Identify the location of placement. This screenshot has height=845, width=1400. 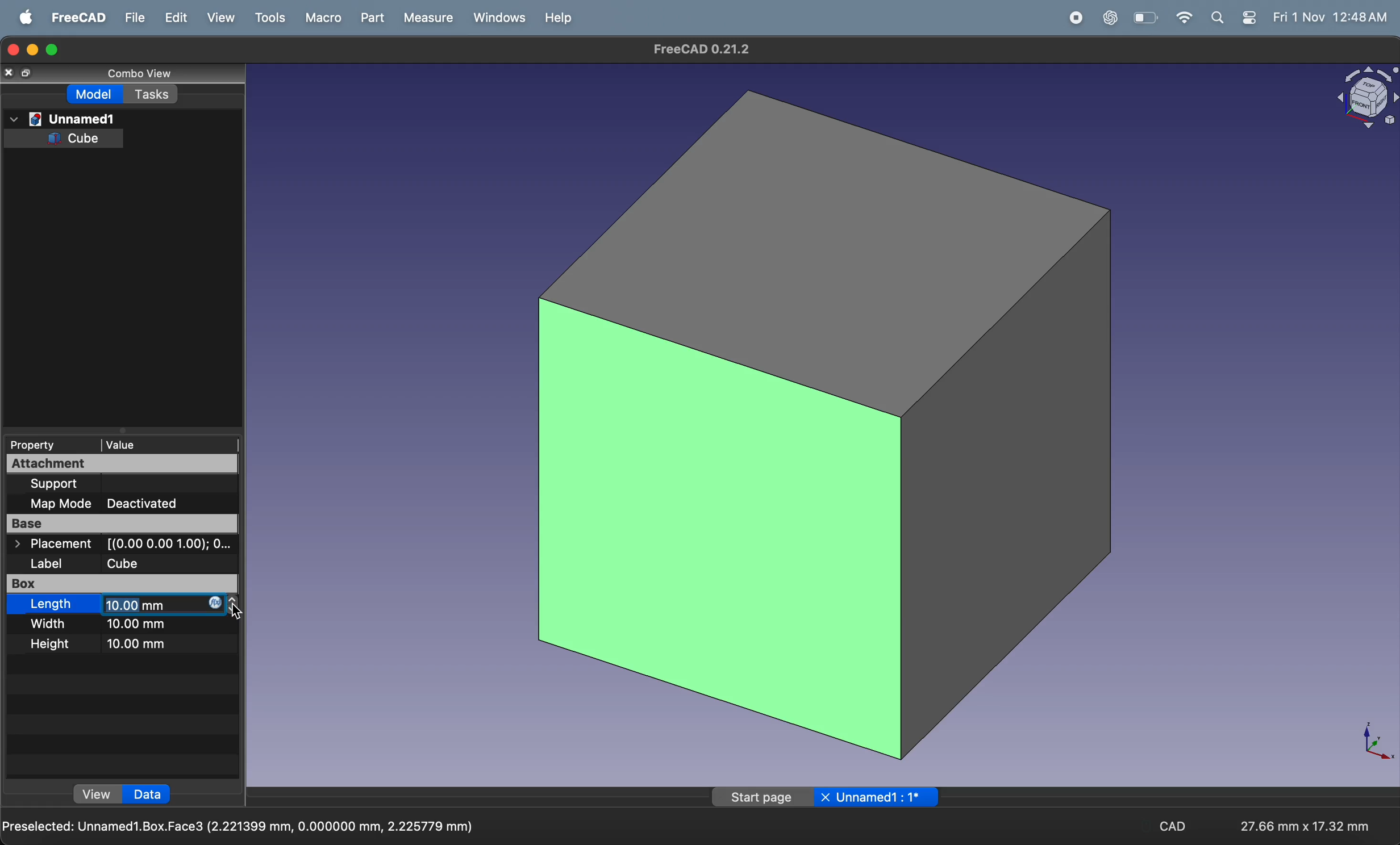
(124, 544).